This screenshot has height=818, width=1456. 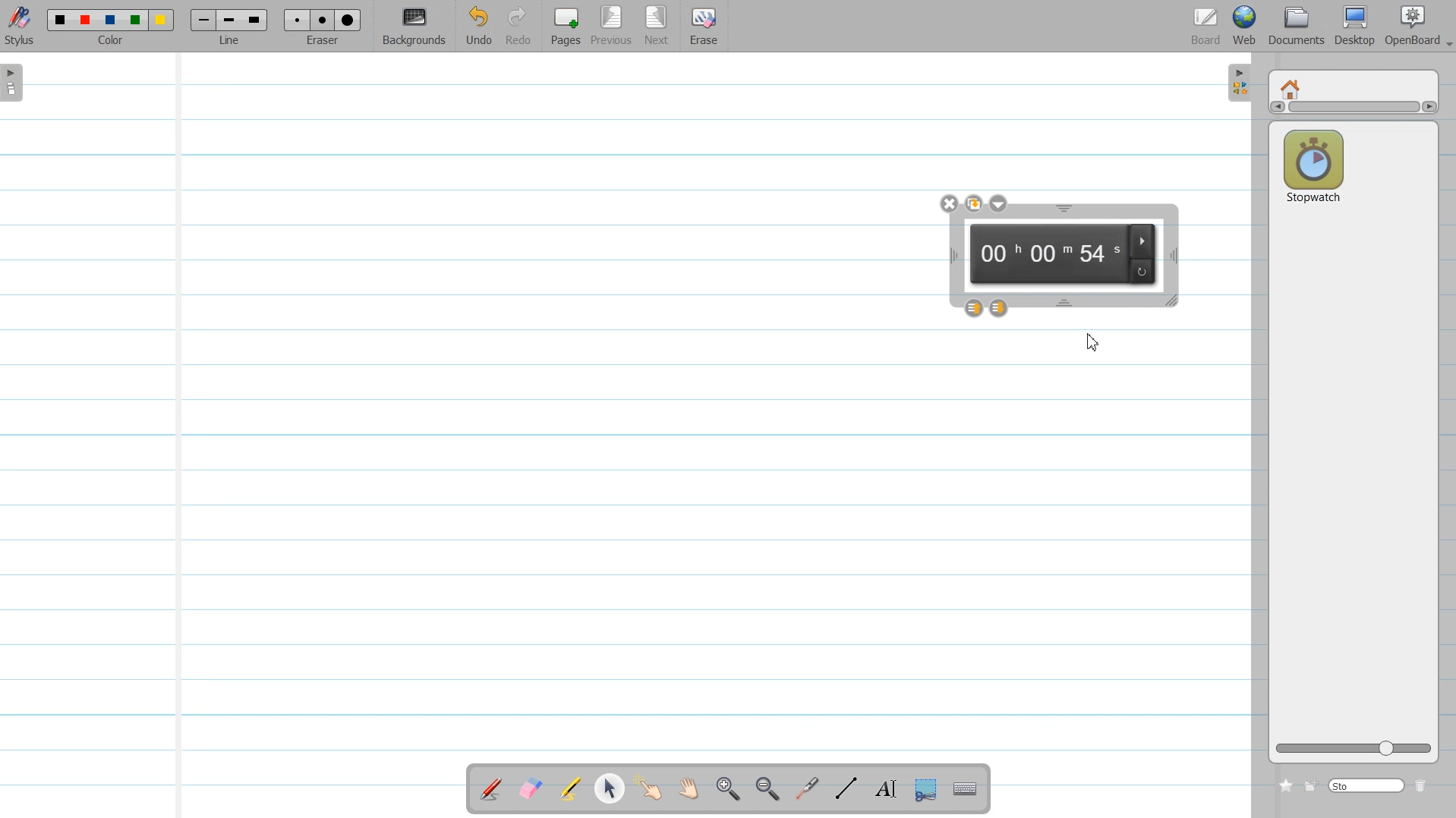 I want to click on Sidebar, so click(x=17, y=82).